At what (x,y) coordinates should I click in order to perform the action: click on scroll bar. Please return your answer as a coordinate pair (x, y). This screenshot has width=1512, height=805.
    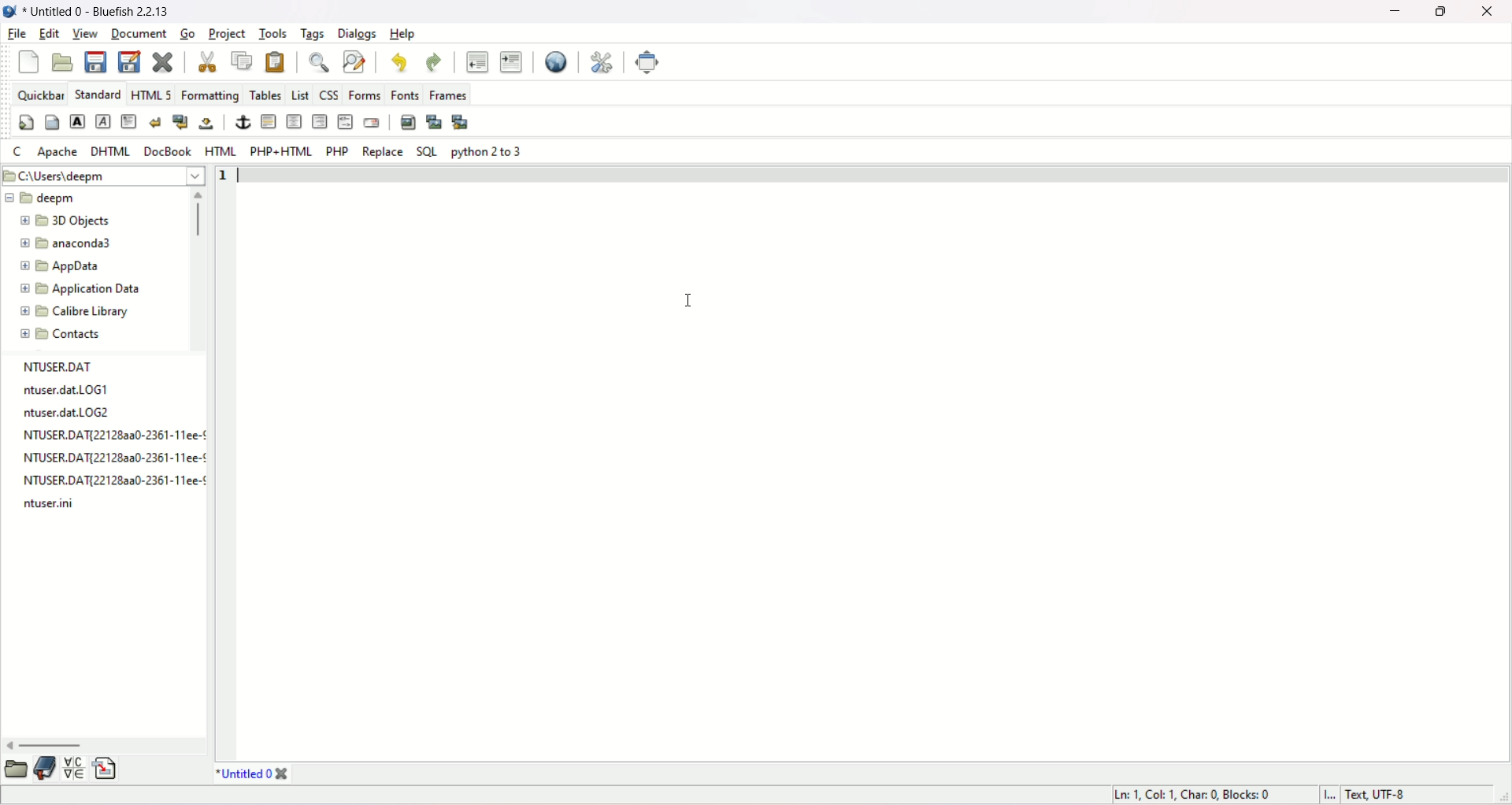
    Looking at the image, I should click on (202, 266).